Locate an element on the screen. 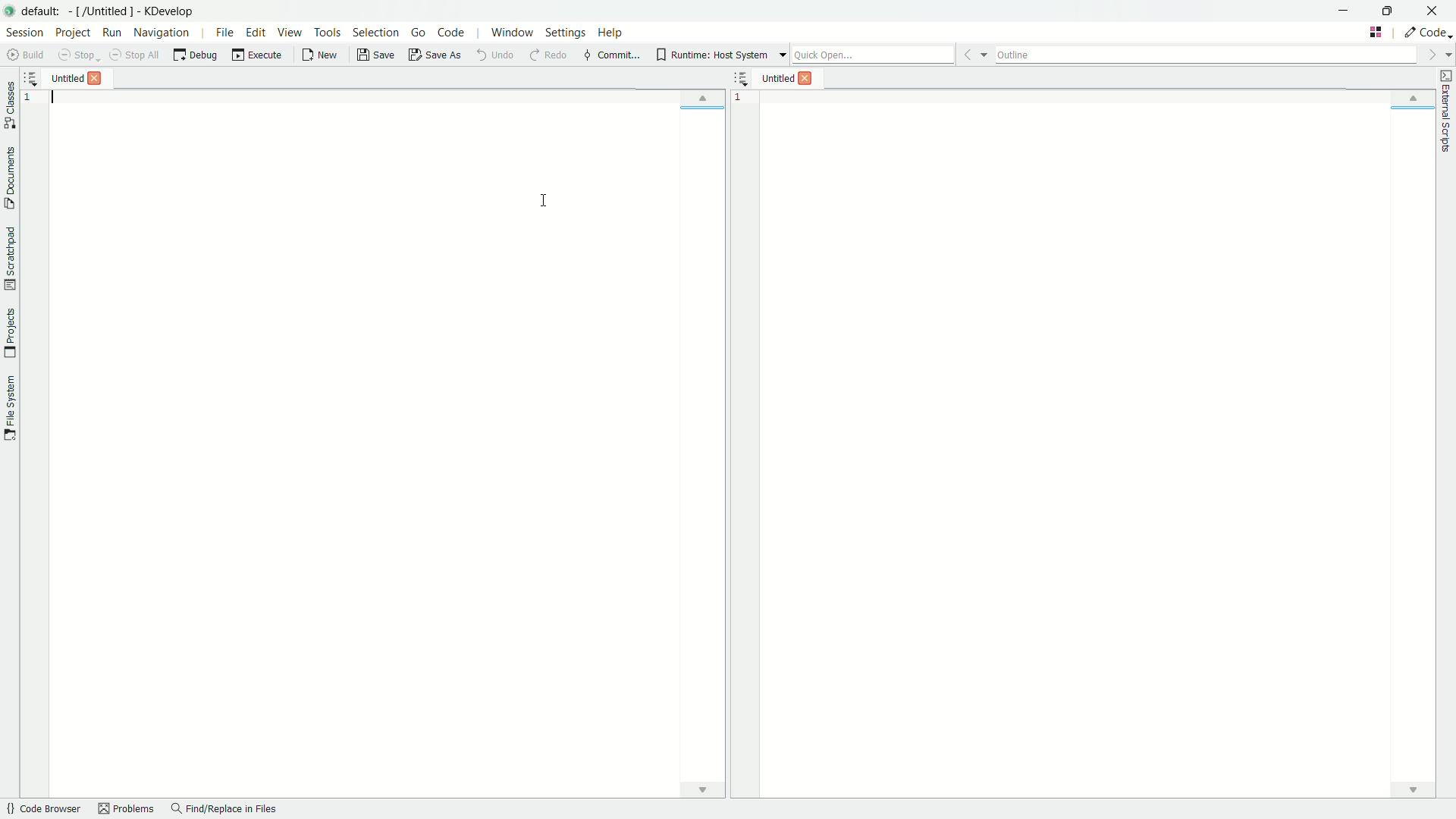 This screenshot has width=1456, height=819. tools menu is located at coordinates (327, 32).